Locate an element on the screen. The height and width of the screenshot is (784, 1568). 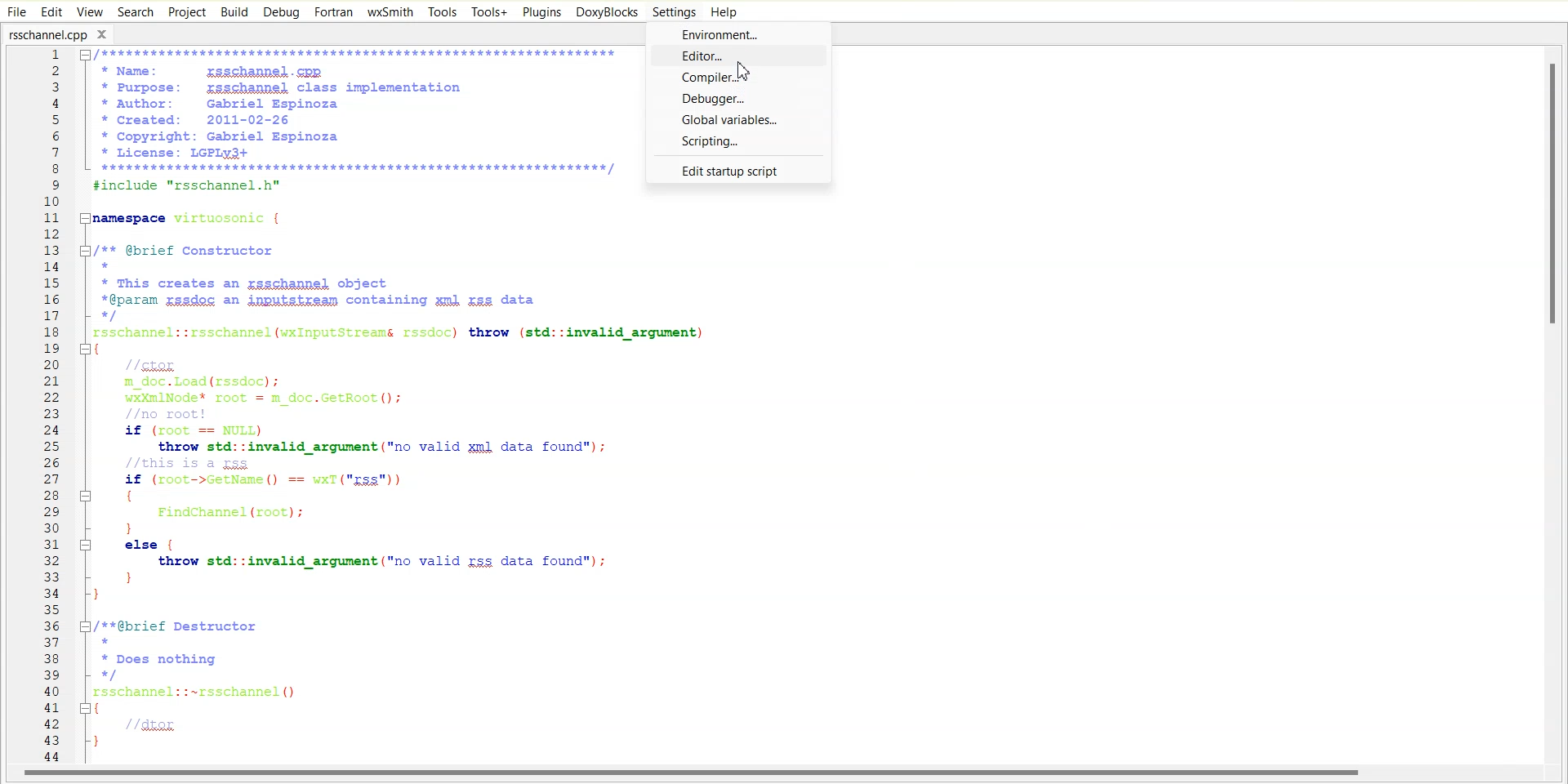
Debug is located at coordinates (282, 13).